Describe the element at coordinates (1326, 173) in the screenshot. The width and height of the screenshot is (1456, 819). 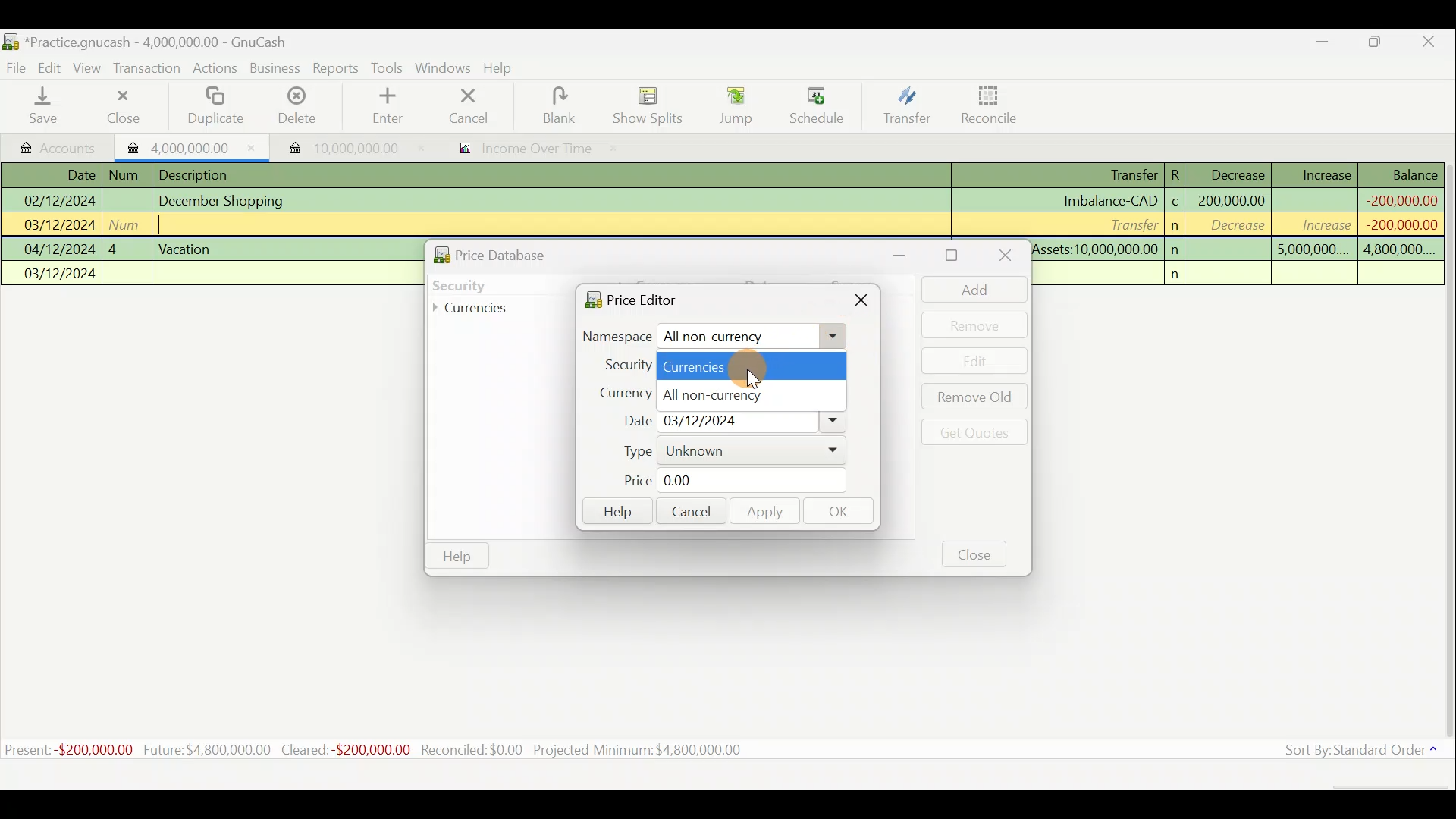
I see `Increase` at that location.